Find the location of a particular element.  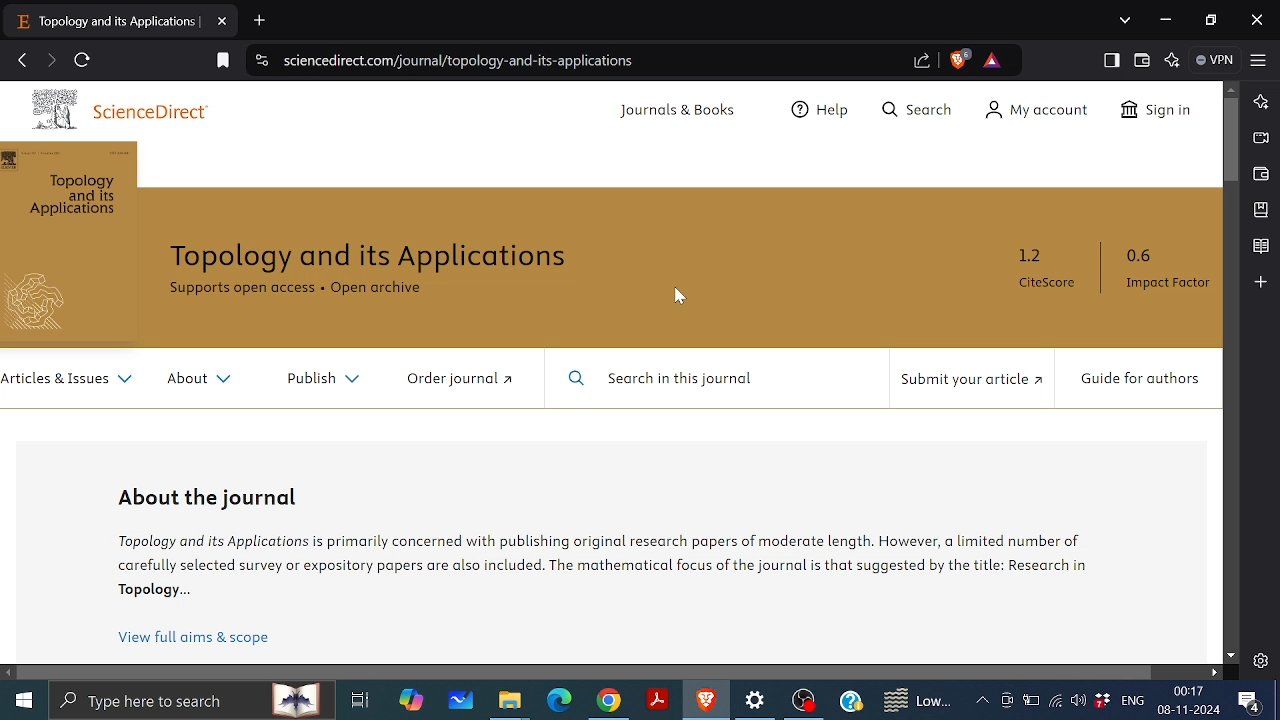

bookmark this tab is located at coordinates (220, 62).